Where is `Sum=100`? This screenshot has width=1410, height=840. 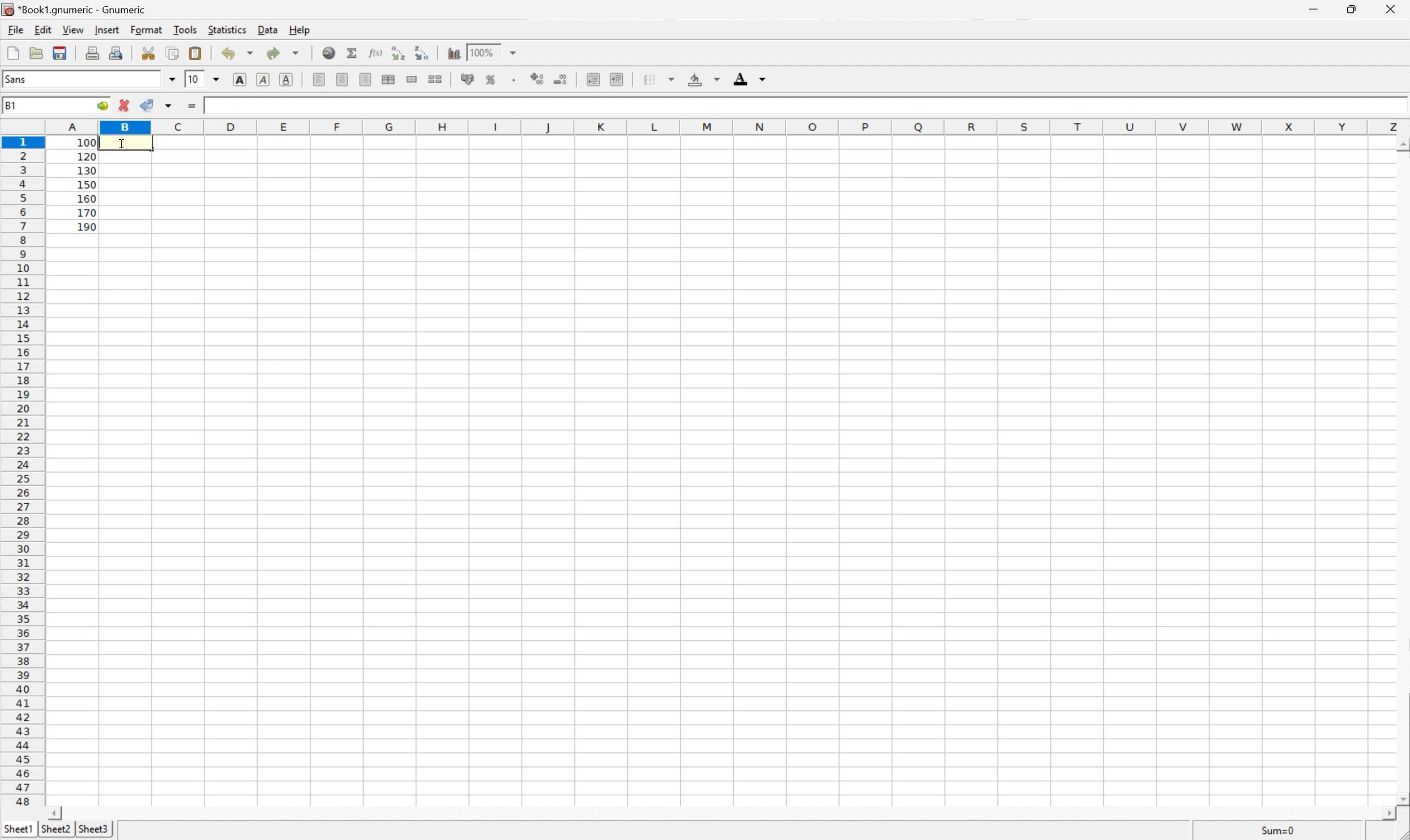
Sum=100 is located at coordinates (1278, 829).